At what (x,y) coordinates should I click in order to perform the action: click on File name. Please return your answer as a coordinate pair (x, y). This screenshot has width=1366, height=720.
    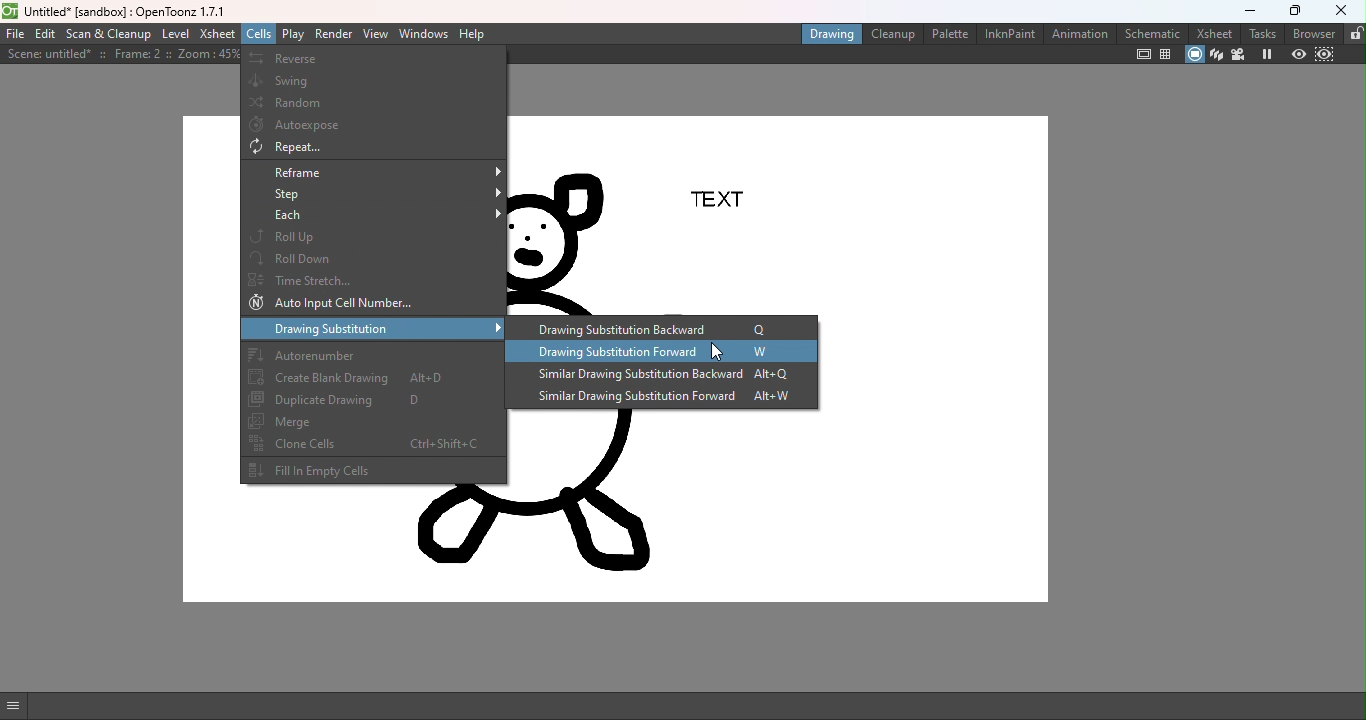
    Looking at the image, I should click on (124, 10).